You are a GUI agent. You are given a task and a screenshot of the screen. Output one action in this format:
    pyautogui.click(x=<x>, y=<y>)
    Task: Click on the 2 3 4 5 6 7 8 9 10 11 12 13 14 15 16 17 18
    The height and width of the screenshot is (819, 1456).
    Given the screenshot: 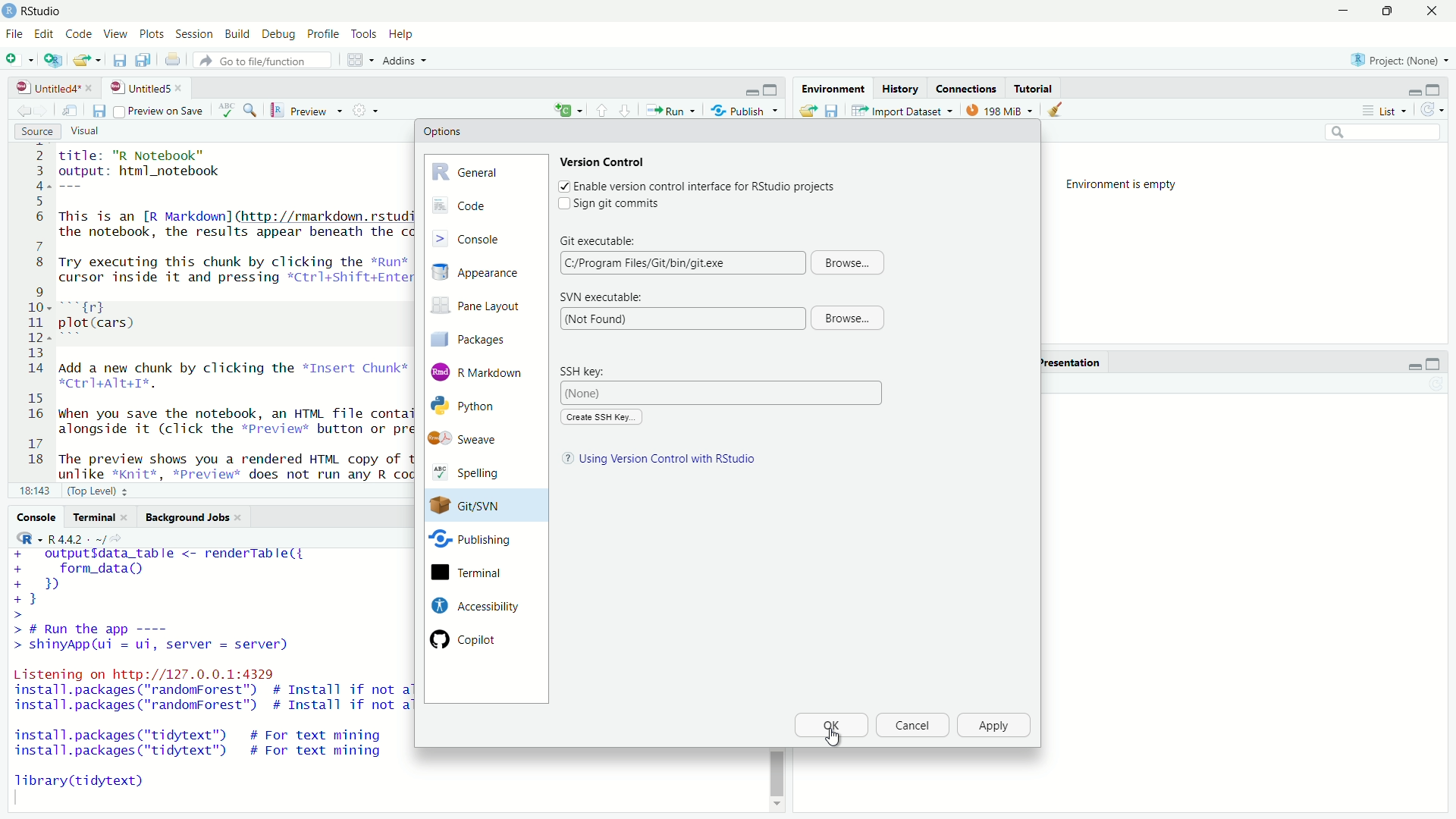 What is the action you would take?
    pyautogui.click(x=32, y=311)
    